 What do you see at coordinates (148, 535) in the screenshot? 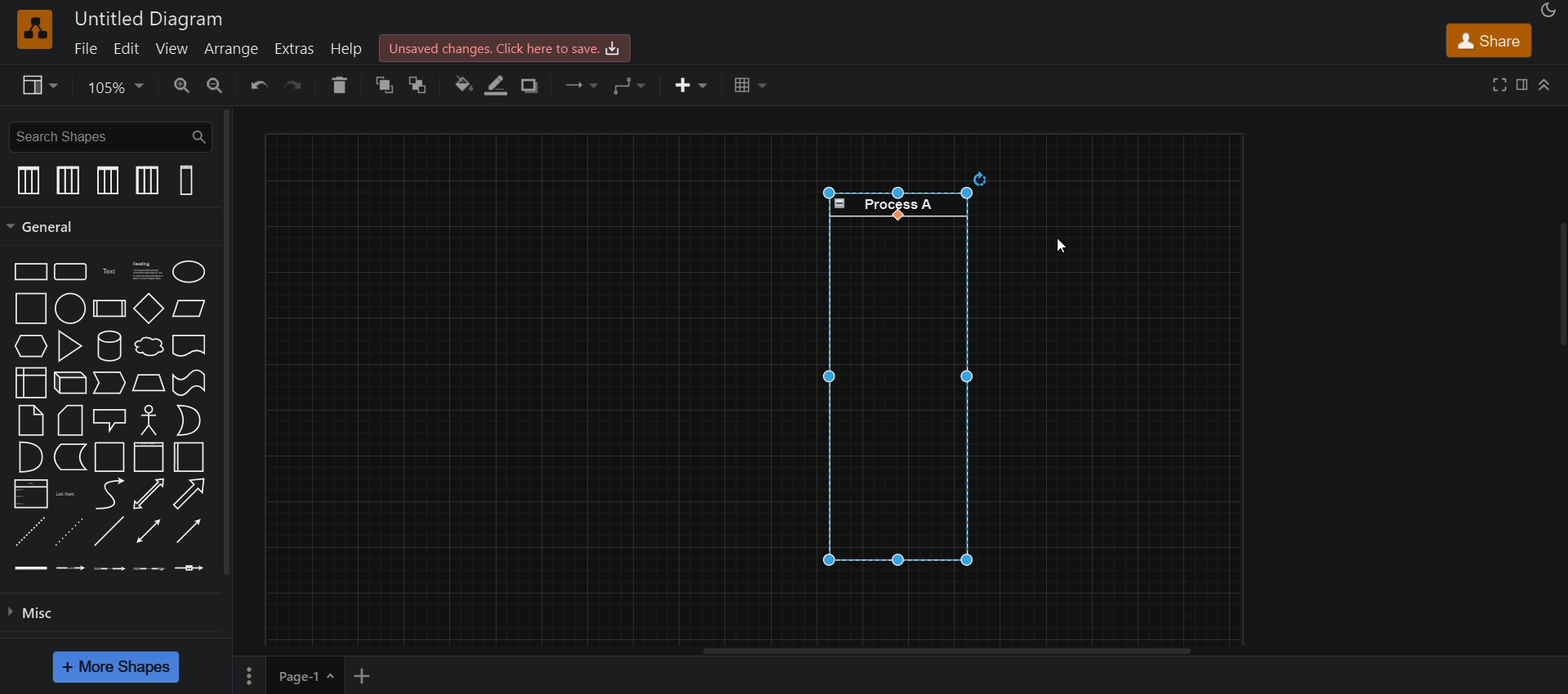
I see `bidirectional connector` at bounding box center [148, 535].